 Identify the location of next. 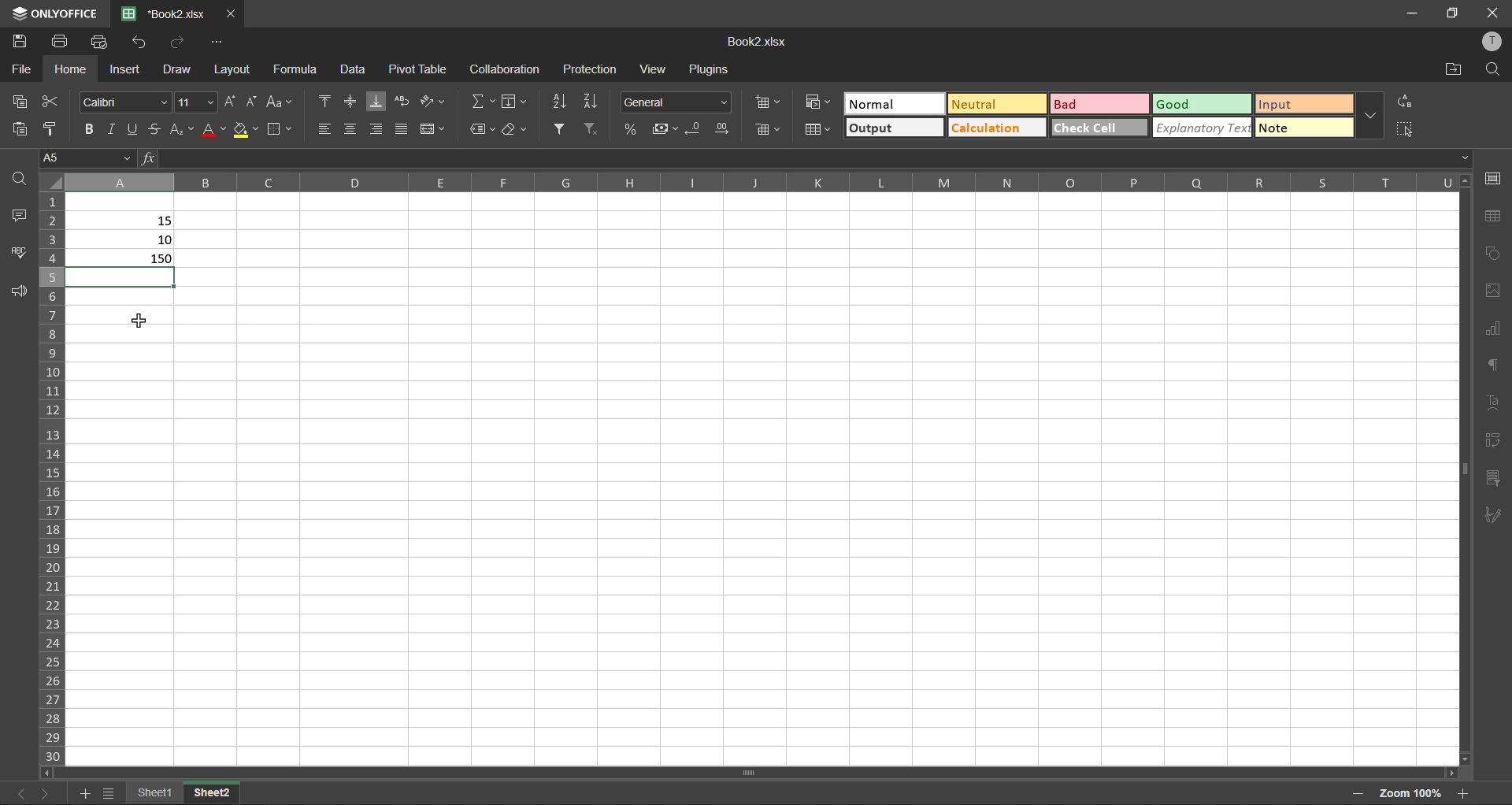
(46, 792).